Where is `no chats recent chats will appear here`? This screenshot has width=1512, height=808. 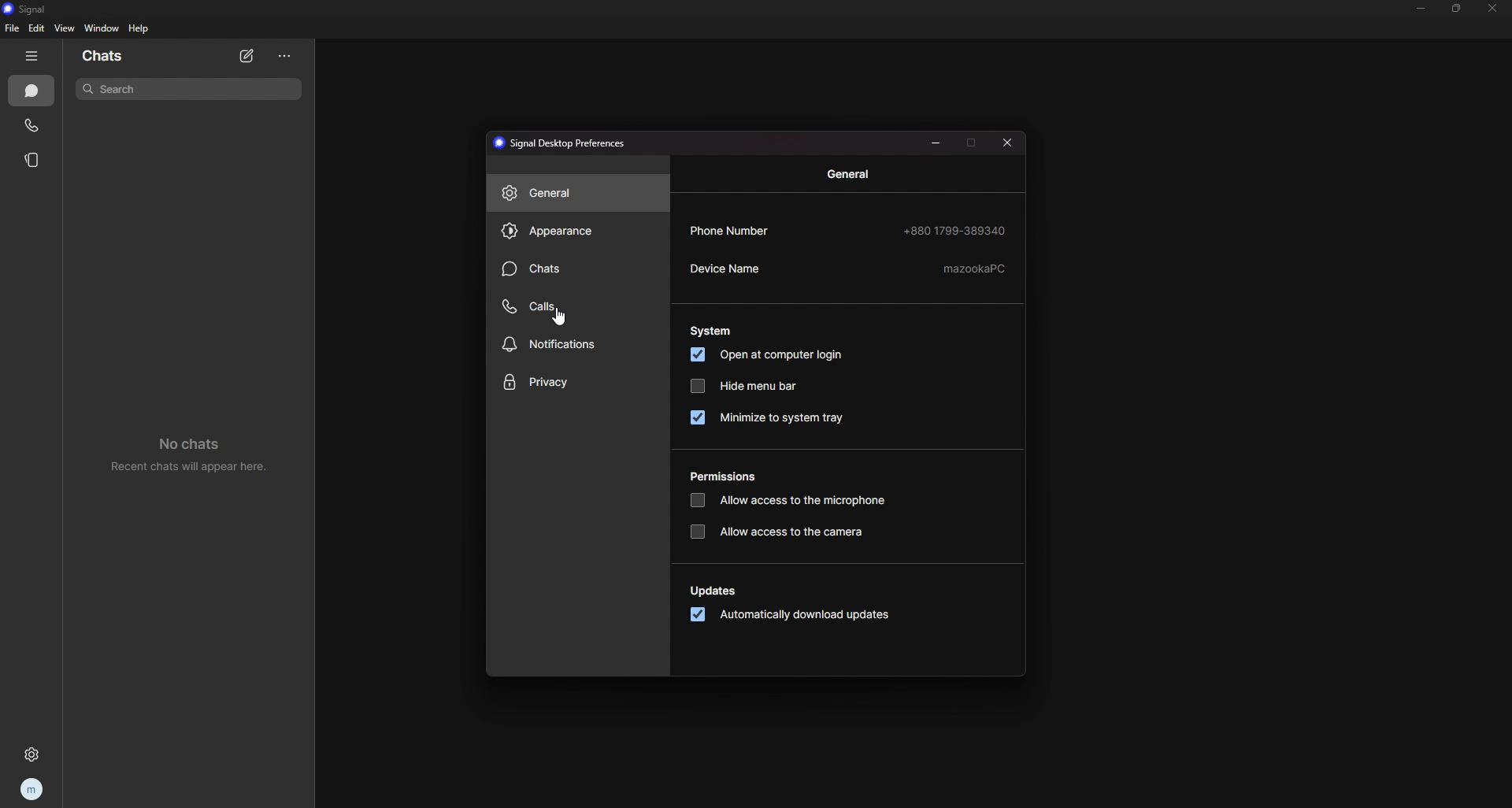 no chats recent chats will appear here is located at coordinates (197, 458).